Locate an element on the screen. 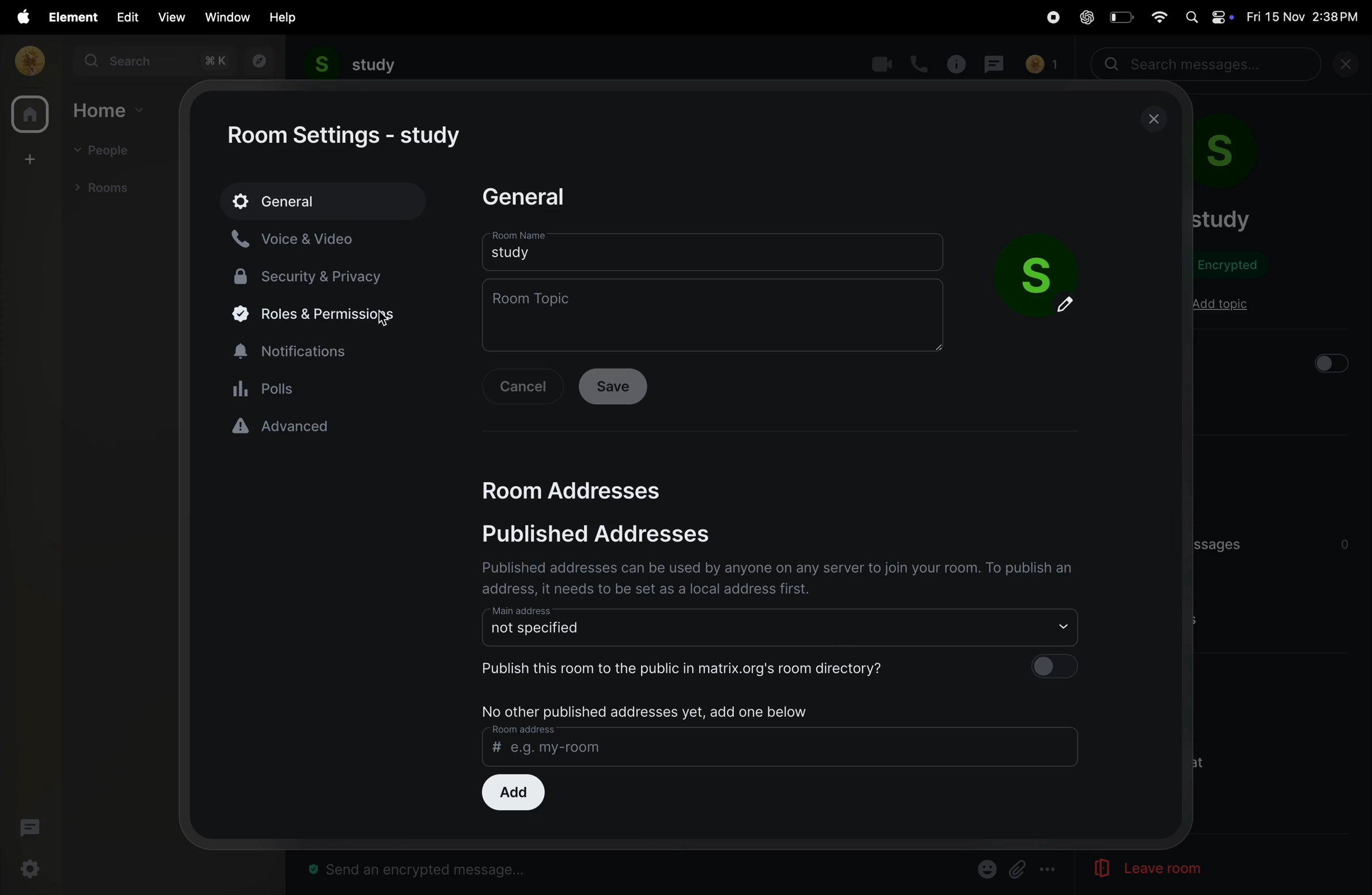 The width and height of the screenshot is (1372, 895). General is located at coordinates (534, 197).